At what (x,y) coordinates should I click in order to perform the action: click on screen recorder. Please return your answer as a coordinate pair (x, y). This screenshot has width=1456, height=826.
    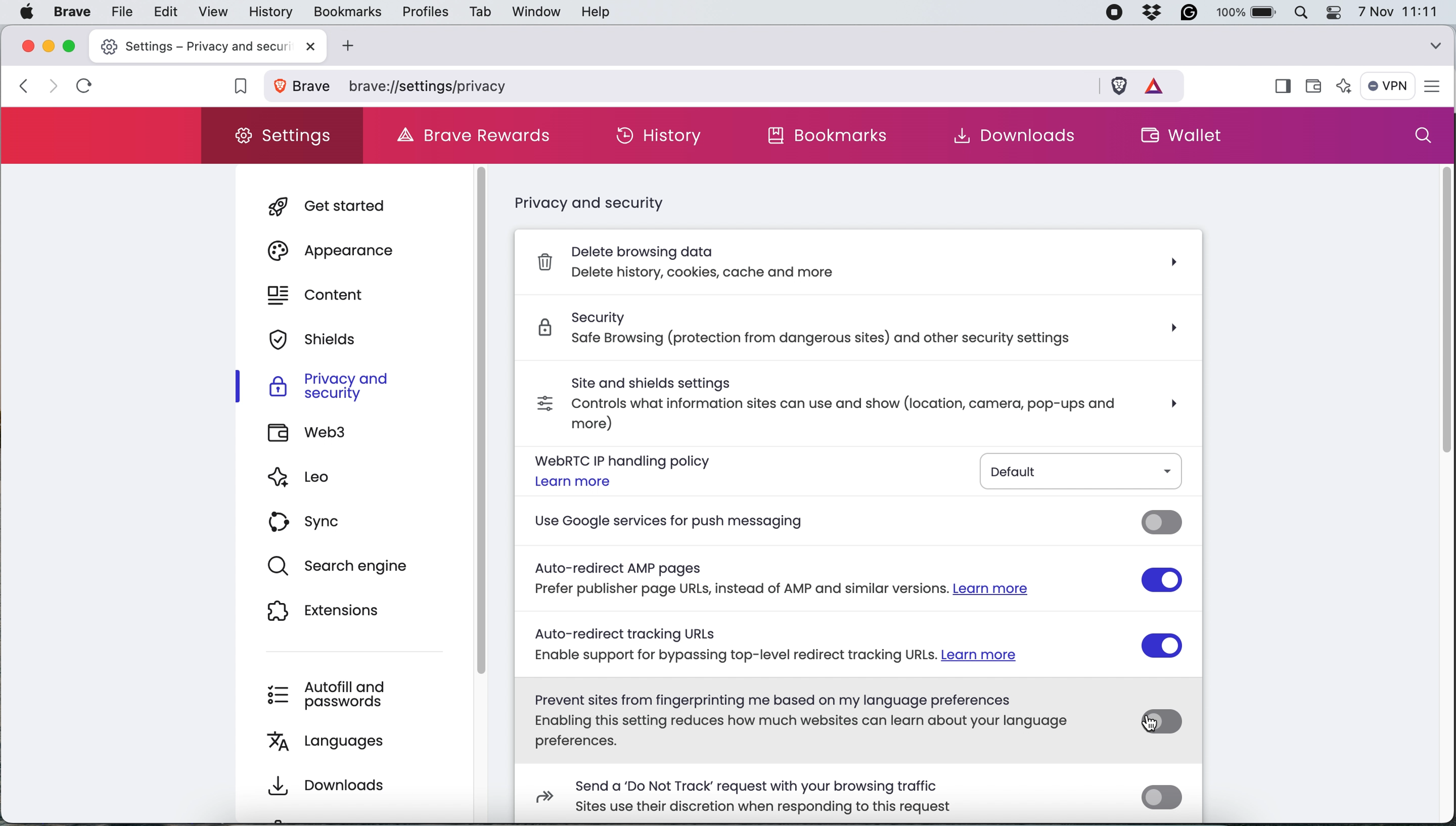
    Looking at the image, I should click on (1117, 13).